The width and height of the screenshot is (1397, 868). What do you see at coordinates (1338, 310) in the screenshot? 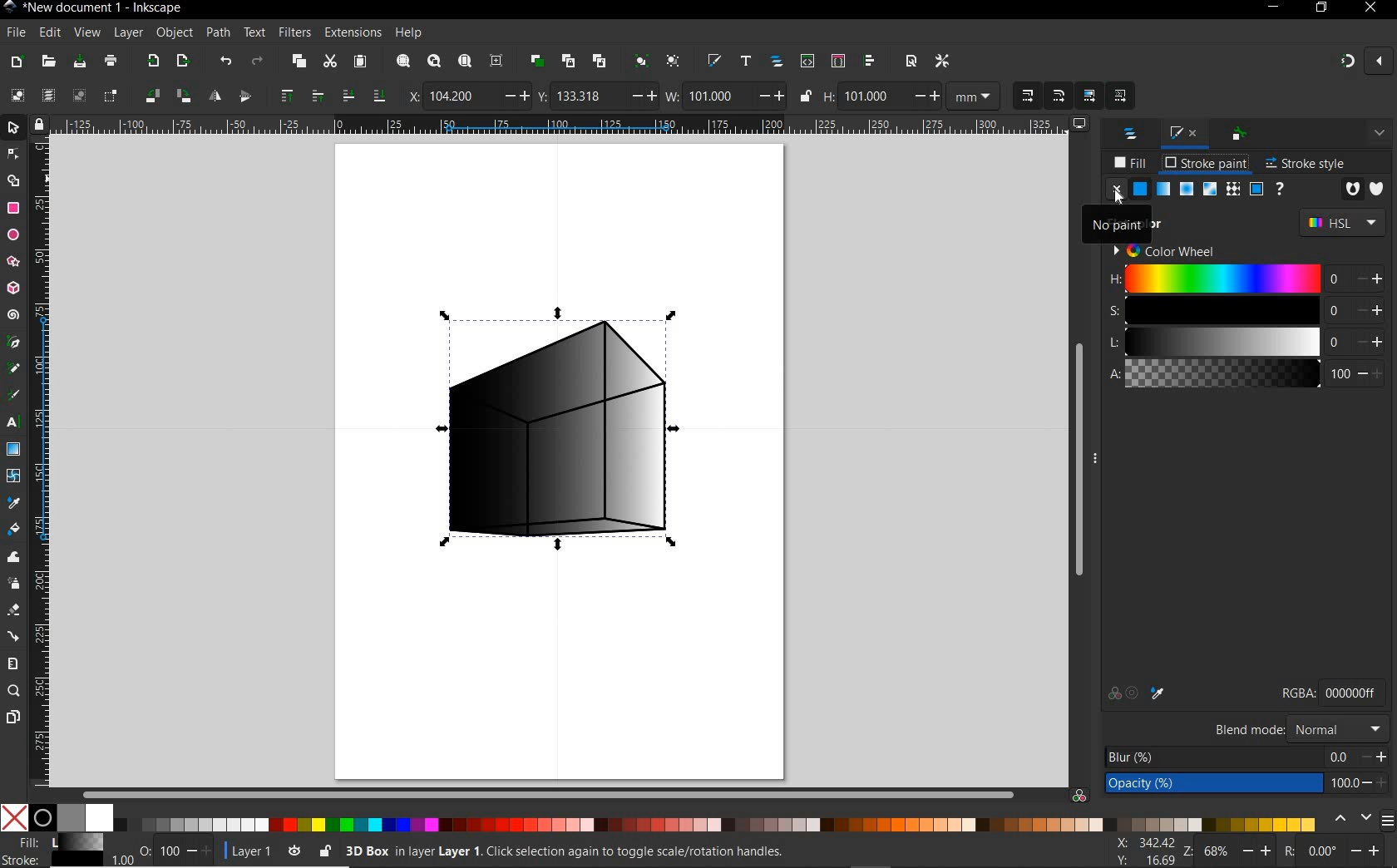
I see `0` at bounding box center [1338, 310].